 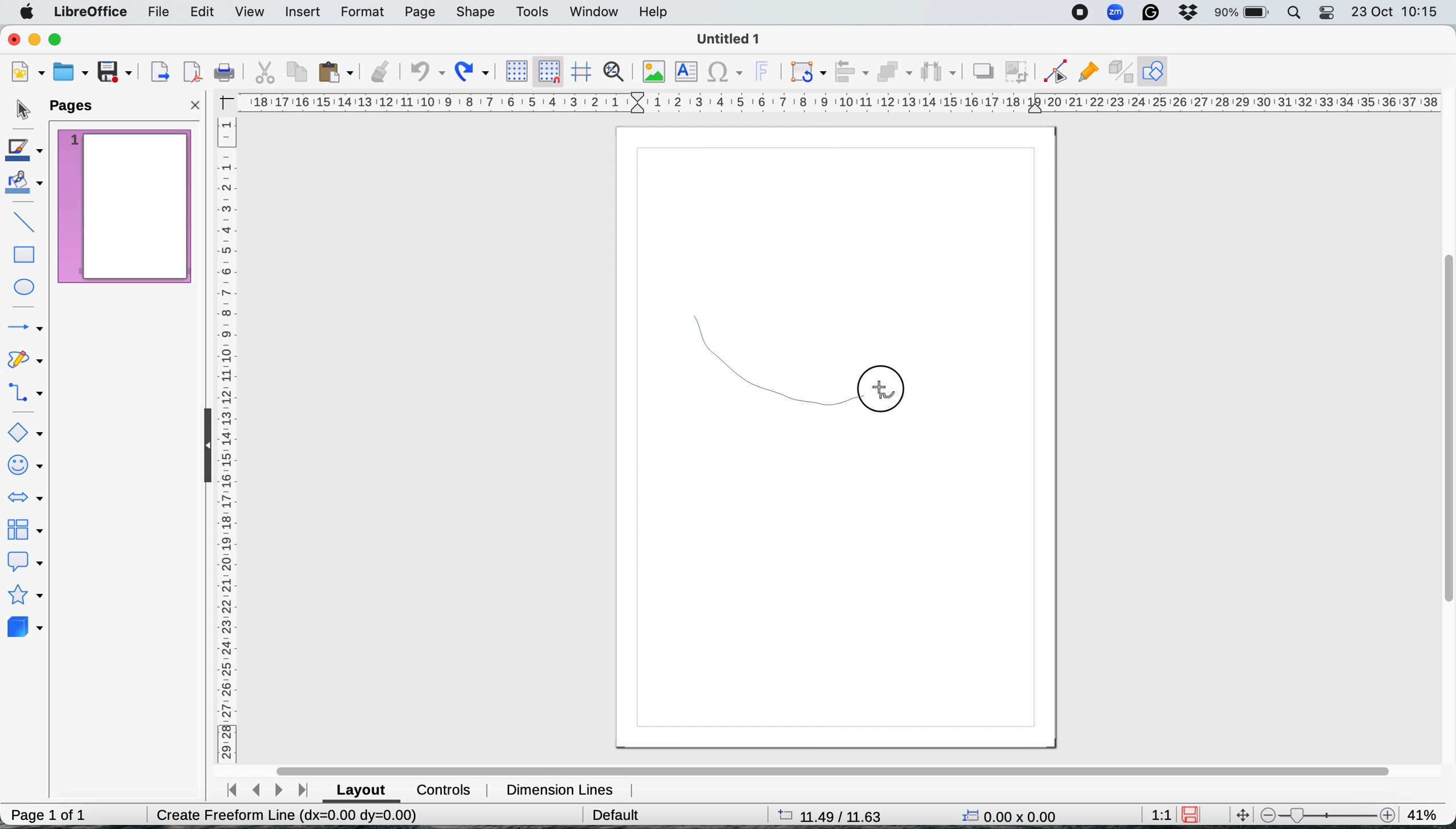 What do you see at coordinates (77, 106) in the screenshot?
I see `pages` at bounding box center [77, 106].